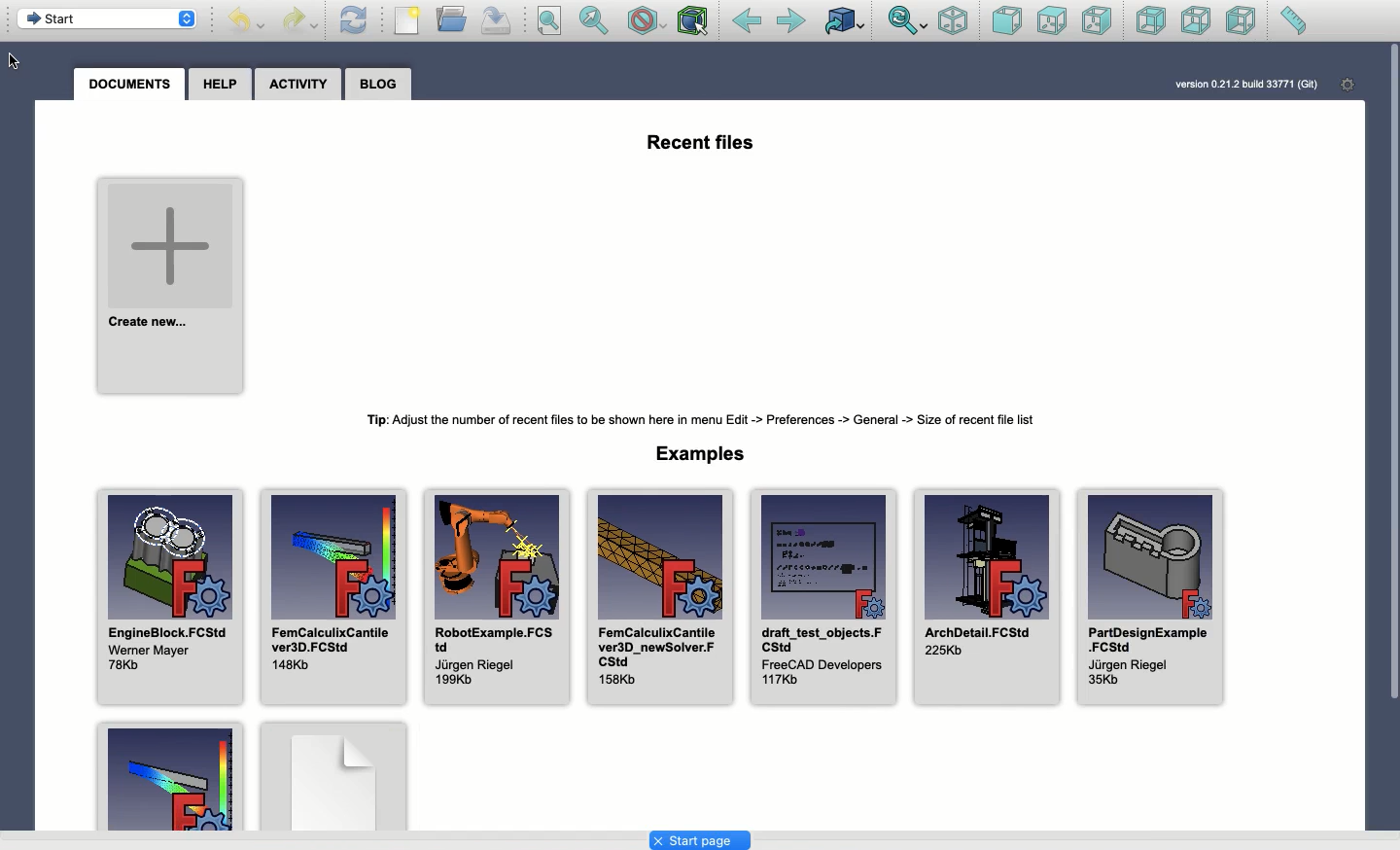 The image size is (1400, 850). Describe the element at coordinates (16, 60) in the screenshot. I see `Cursor` at that location.